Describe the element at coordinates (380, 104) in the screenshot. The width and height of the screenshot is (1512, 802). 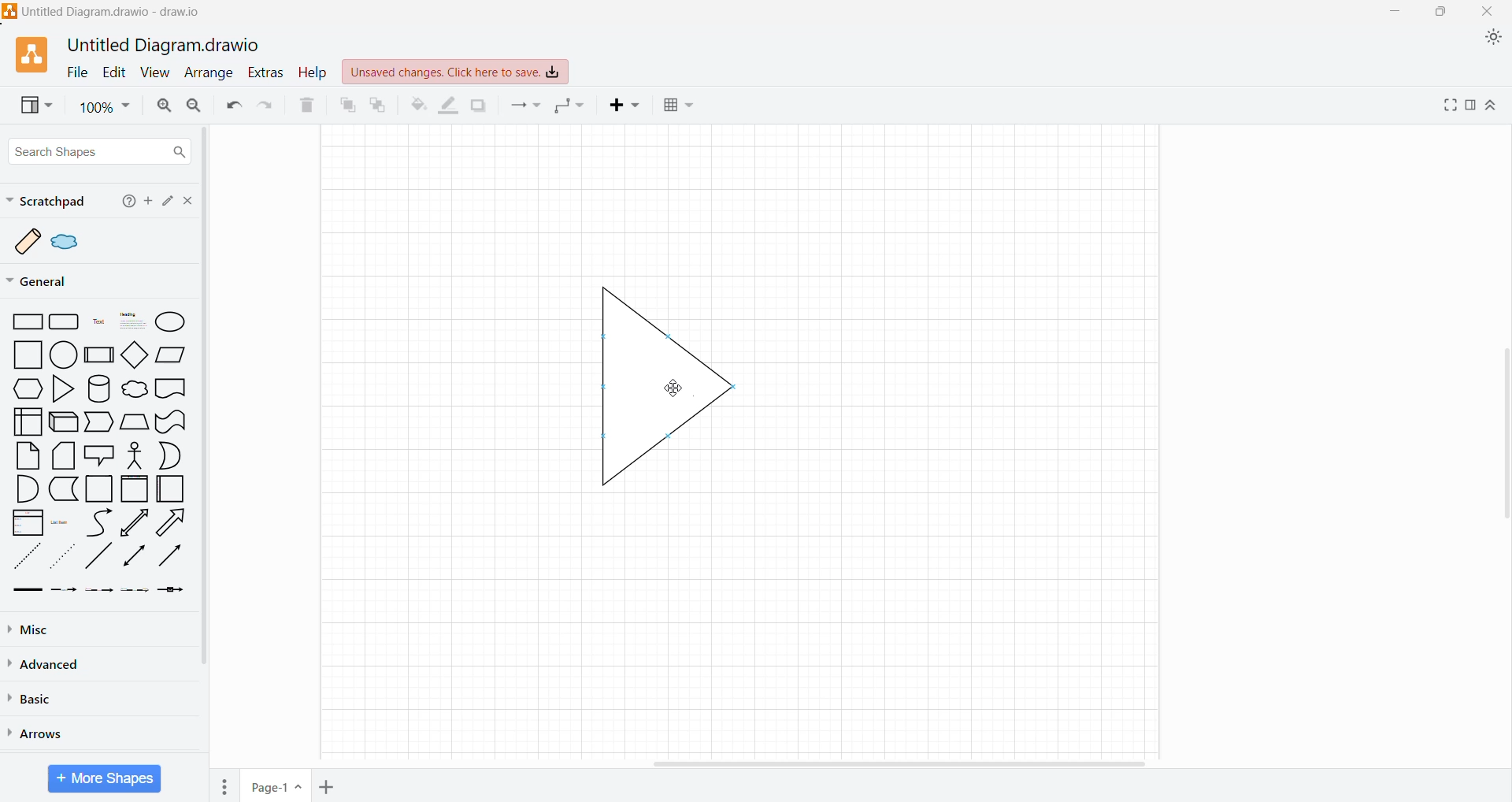
I see `To Back` at that location.